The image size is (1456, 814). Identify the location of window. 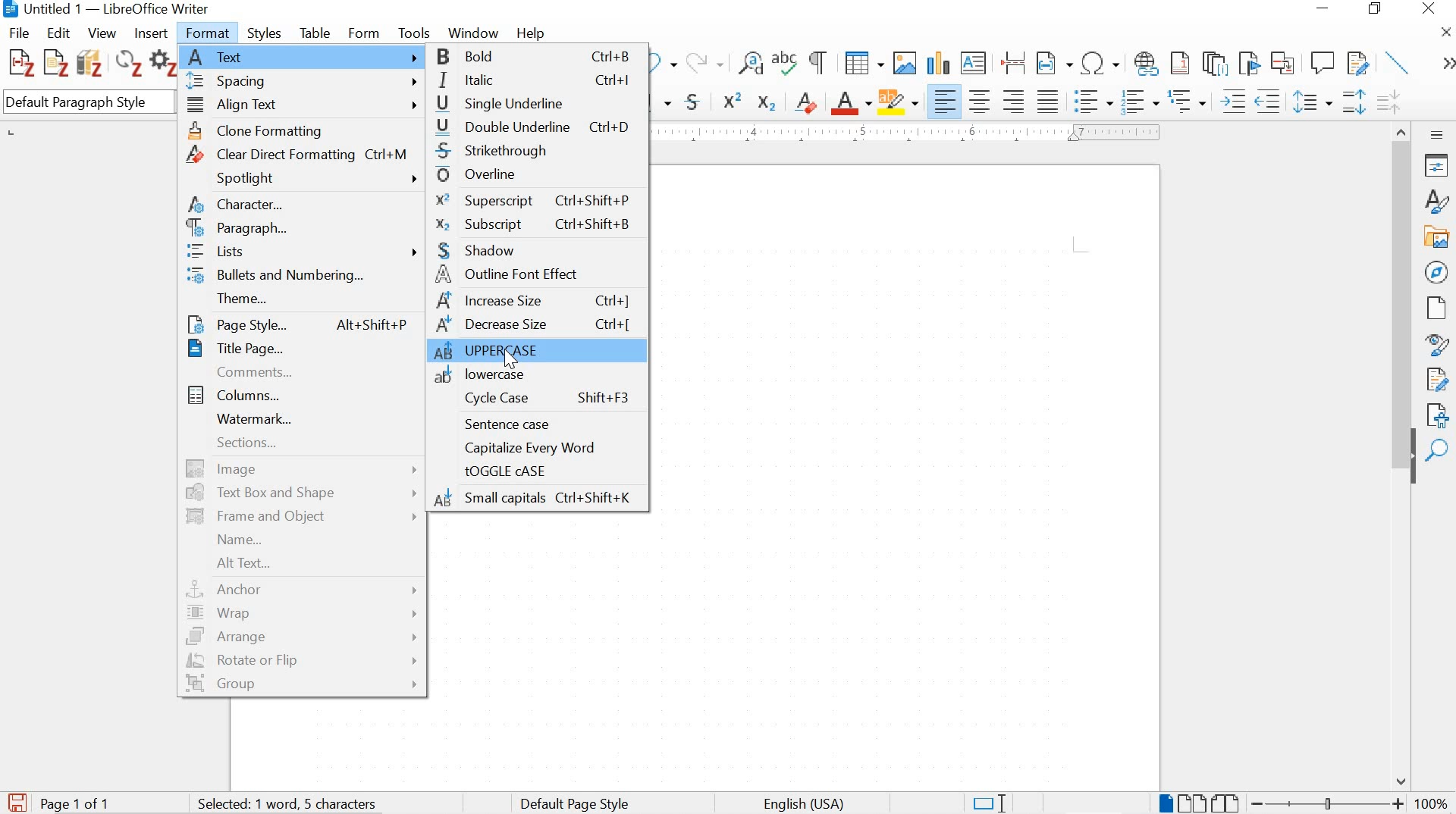
(472, 33).